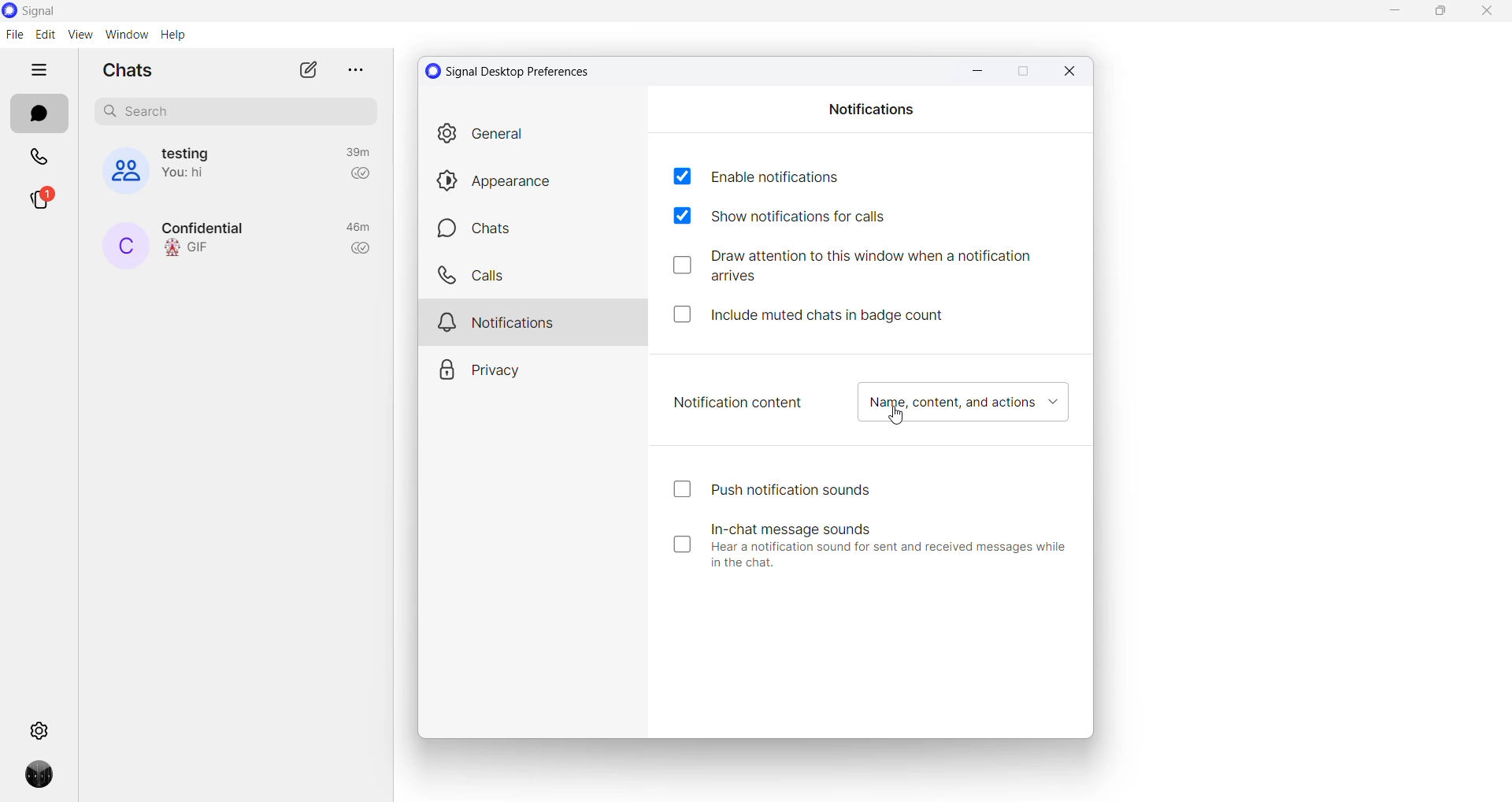  What do you see at coordinates (57, 11) in the screenshot?
I see `application name and logo` at bounding box center [57, 11].